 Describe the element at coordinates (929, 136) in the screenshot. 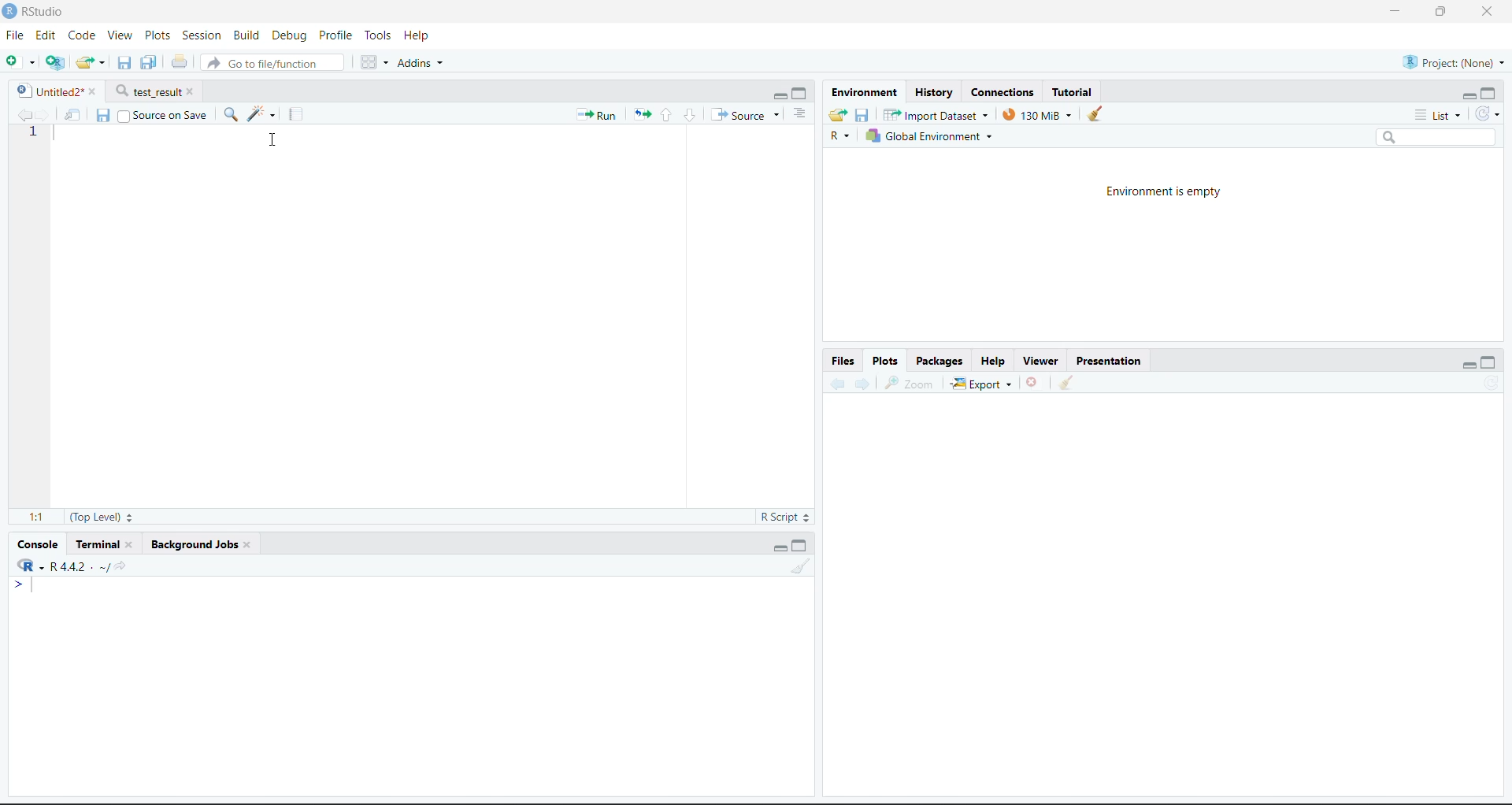

I see `Global Environment` at that location.